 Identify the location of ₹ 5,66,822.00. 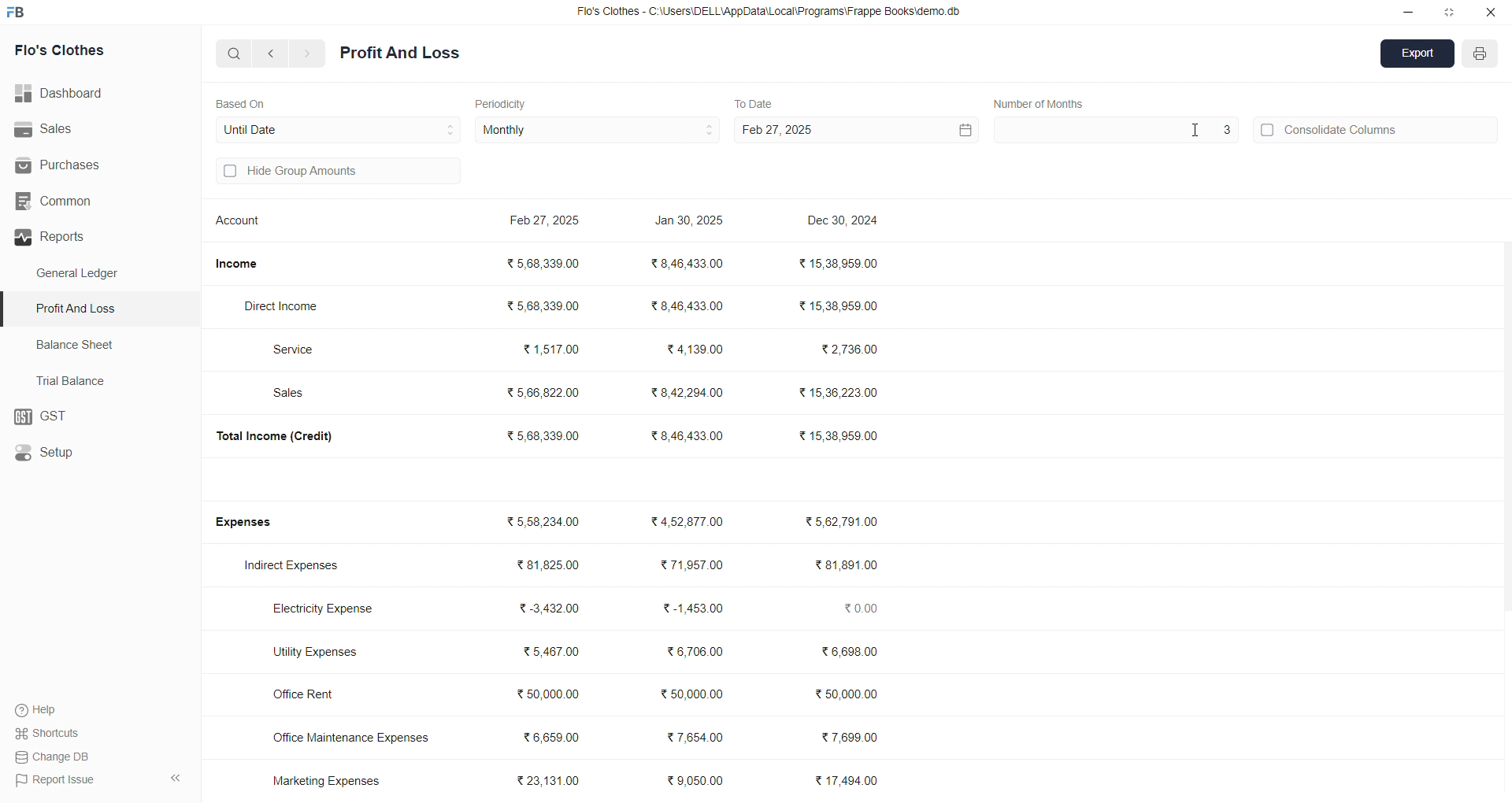
(545, 391).